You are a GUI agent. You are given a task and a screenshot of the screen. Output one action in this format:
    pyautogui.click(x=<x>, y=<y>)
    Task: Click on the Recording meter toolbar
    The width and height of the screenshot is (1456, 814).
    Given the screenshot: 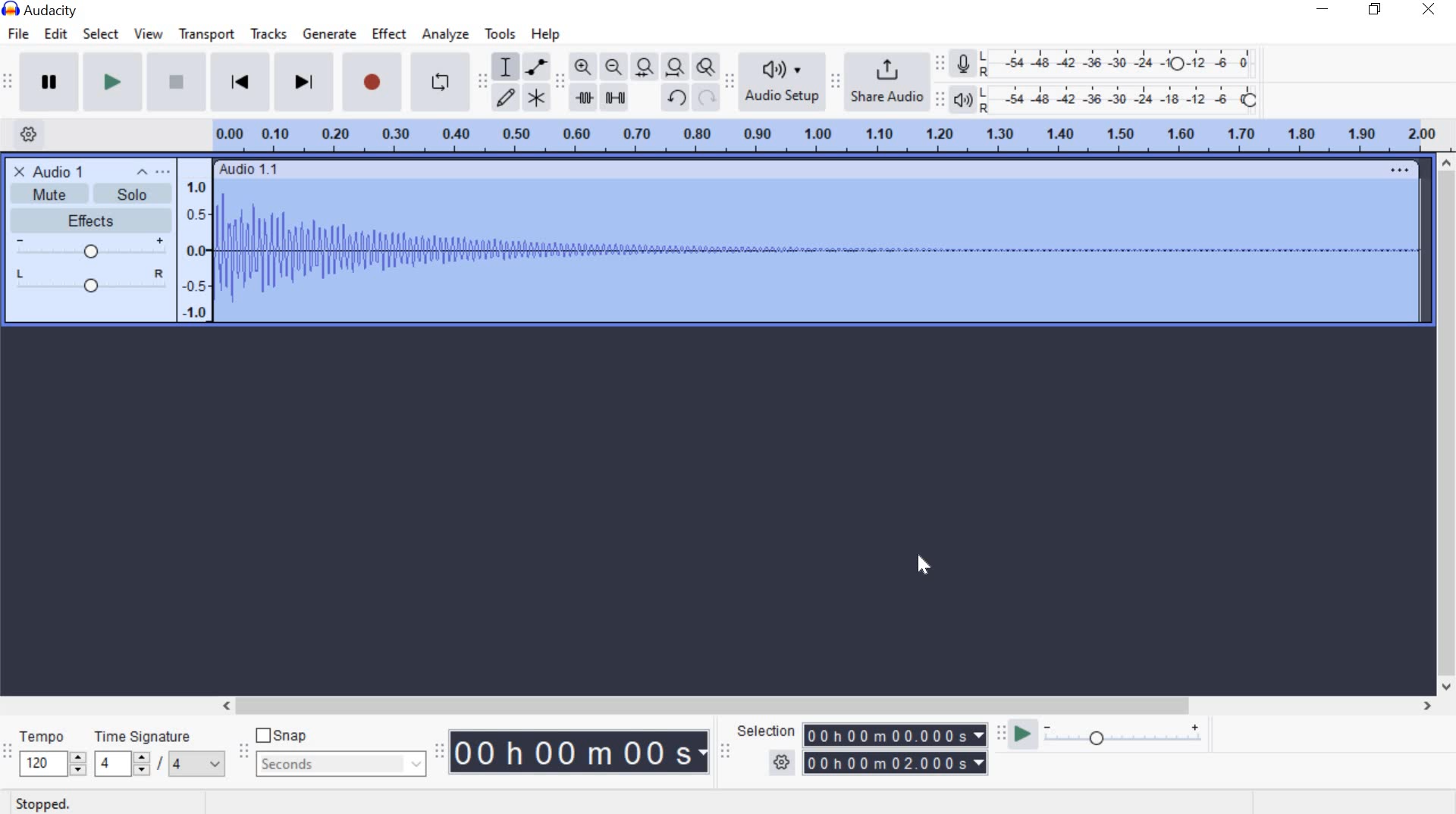 What is the action you would take?
    pyautogui.click(x=939, y=61)
    